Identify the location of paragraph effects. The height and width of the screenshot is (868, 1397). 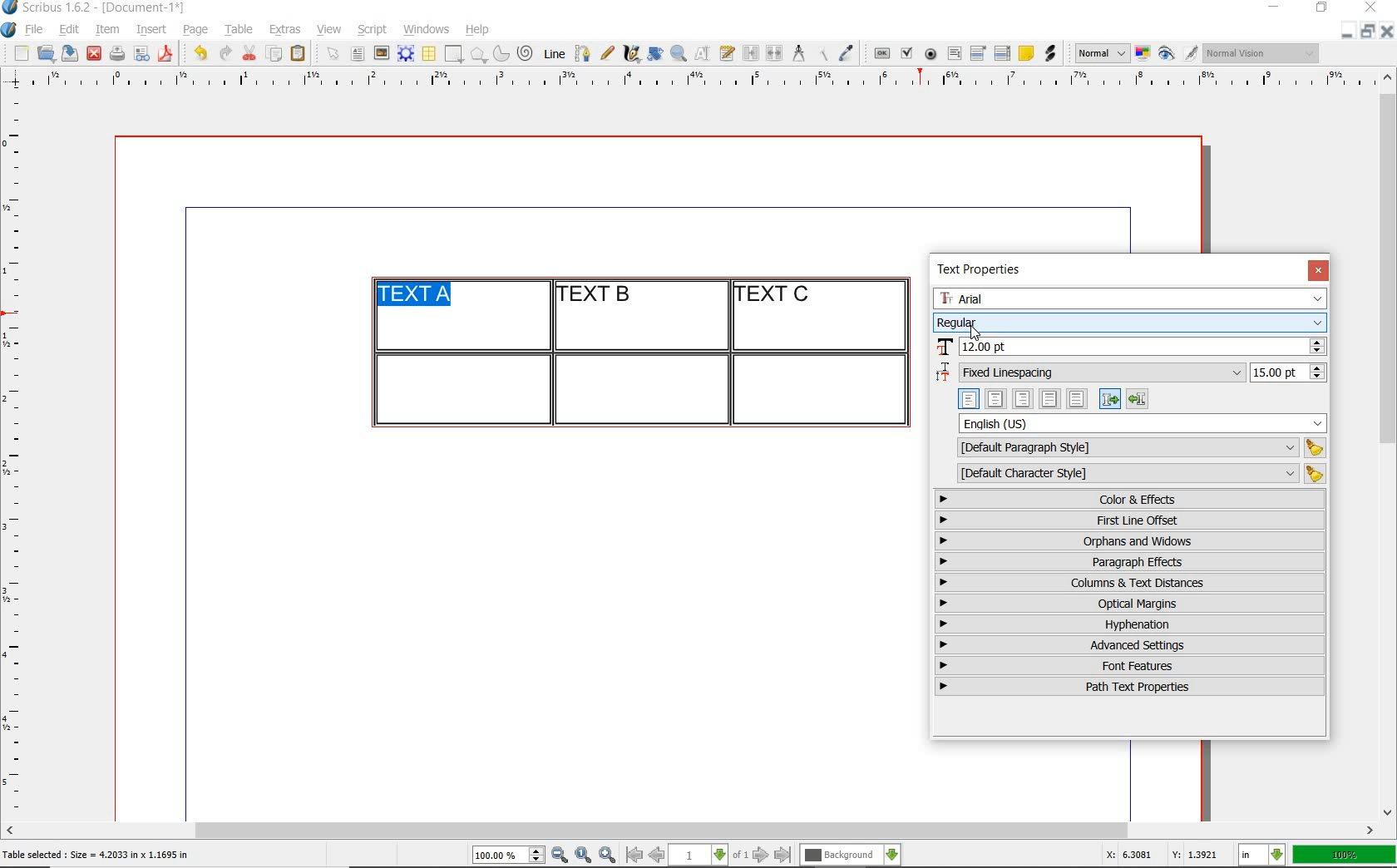
(1128, 561).